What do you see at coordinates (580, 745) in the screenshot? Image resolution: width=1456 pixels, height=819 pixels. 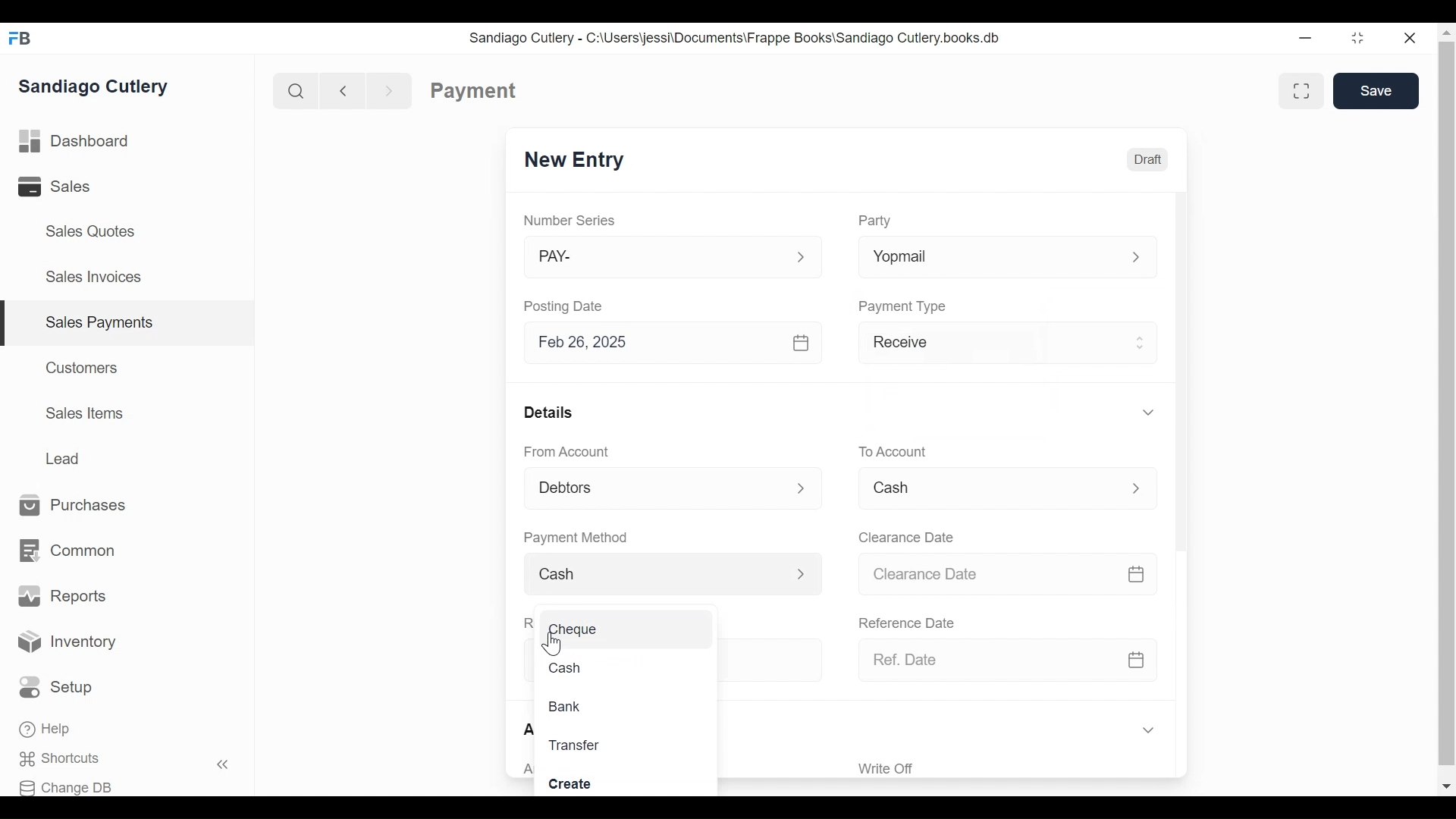 I see `Transfer` at bounding box center [580, 745].